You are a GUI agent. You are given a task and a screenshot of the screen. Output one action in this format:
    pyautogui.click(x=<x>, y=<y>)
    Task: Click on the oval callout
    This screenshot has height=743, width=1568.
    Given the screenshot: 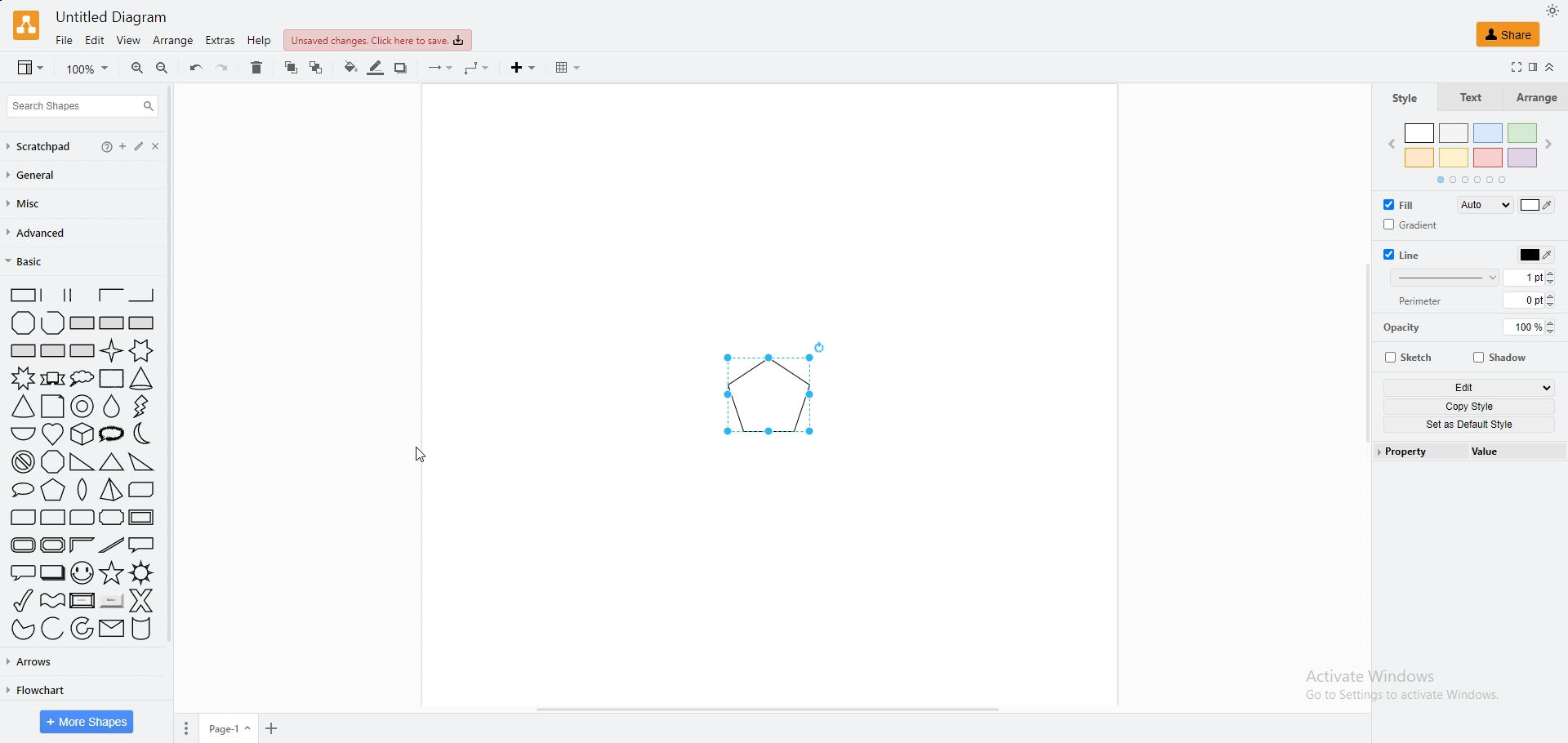 What is the action you would take?
    pyautogui.click(x=19, y=491)
    